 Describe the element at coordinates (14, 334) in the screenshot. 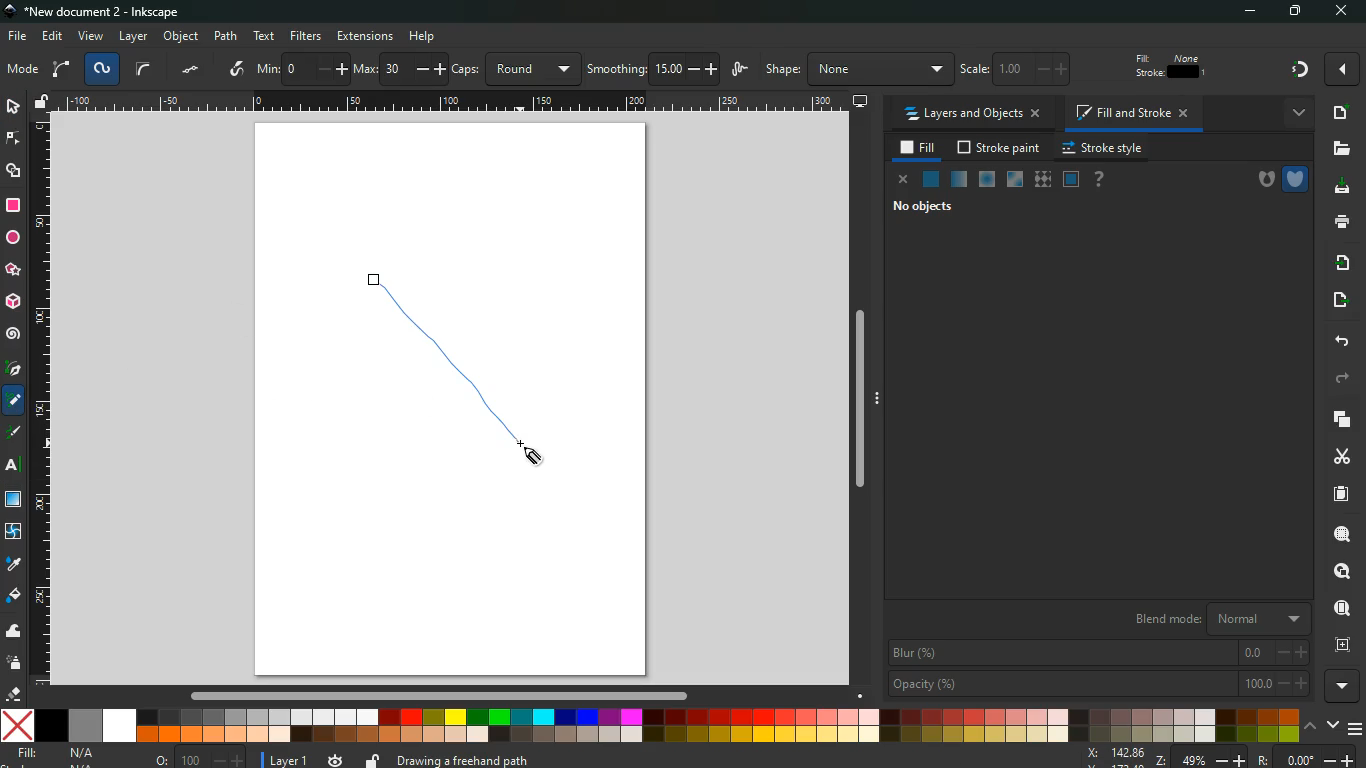

I see `spiral` at that location.